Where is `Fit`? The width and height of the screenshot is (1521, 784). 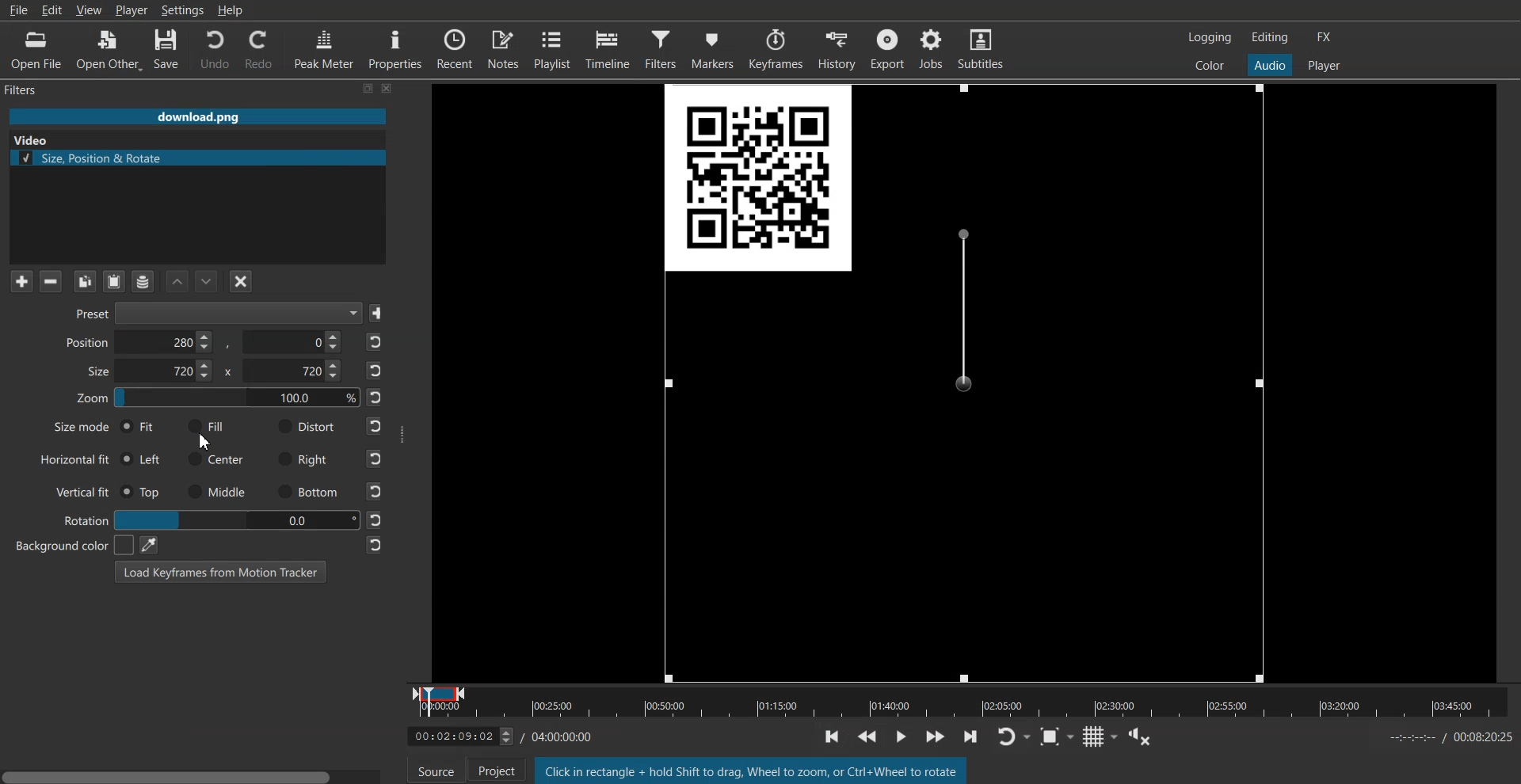
Fit is located at coordinates (139, 426).